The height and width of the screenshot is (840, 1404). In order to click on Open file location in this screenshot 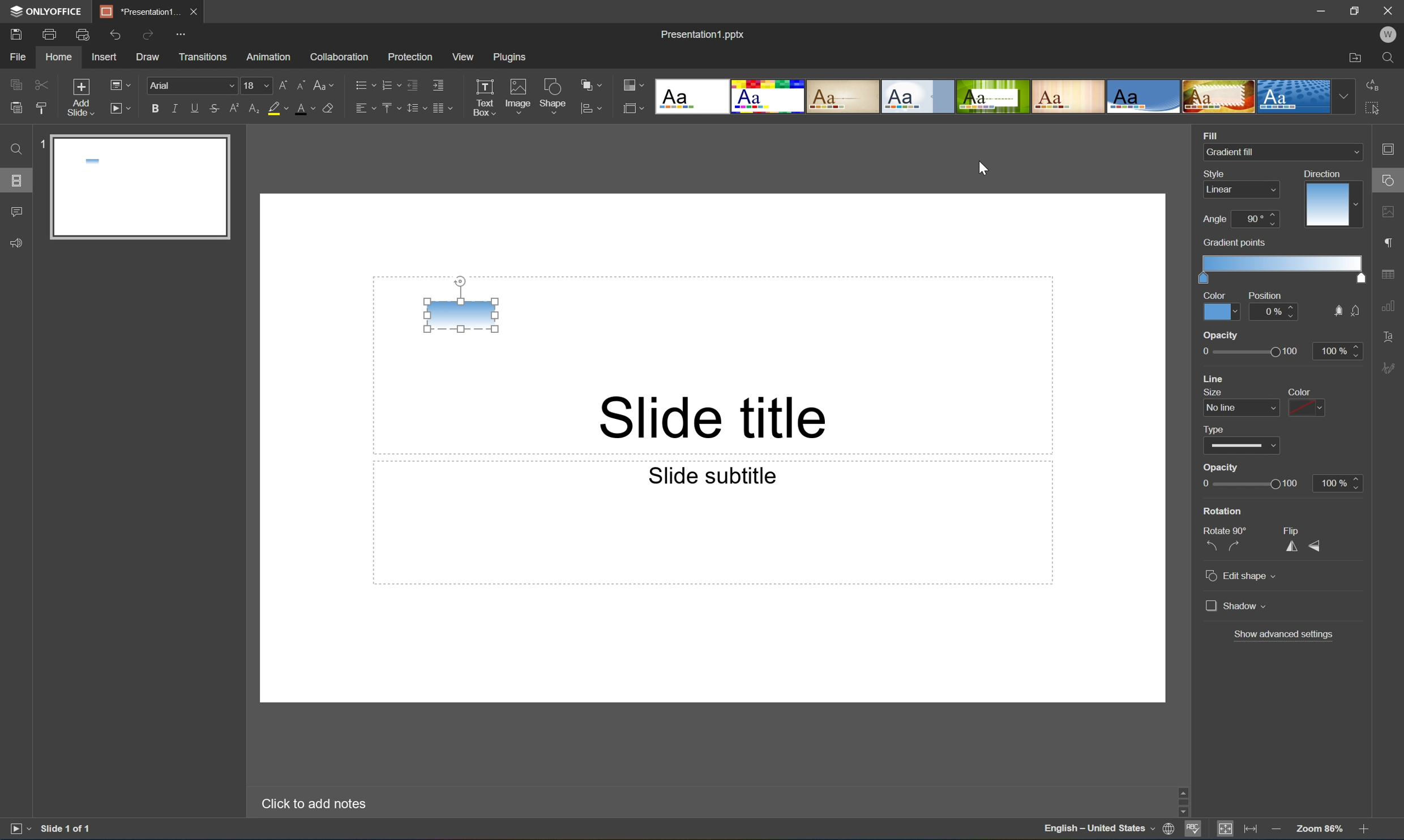, I will do `click(1355, 59)`.